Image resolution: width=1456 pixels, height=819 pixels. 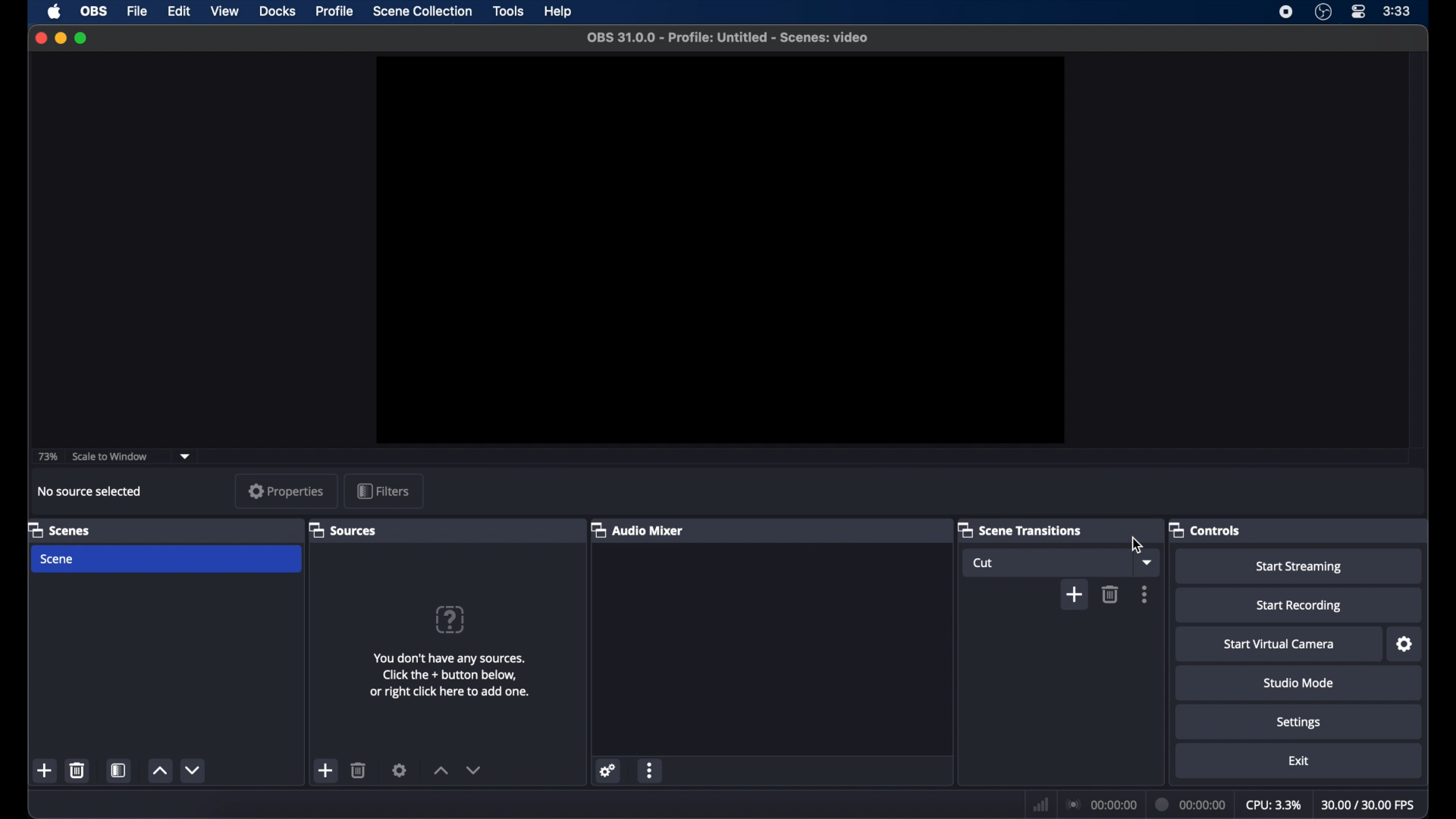 I want to click on studio mode, so click(x=1300, y=683).